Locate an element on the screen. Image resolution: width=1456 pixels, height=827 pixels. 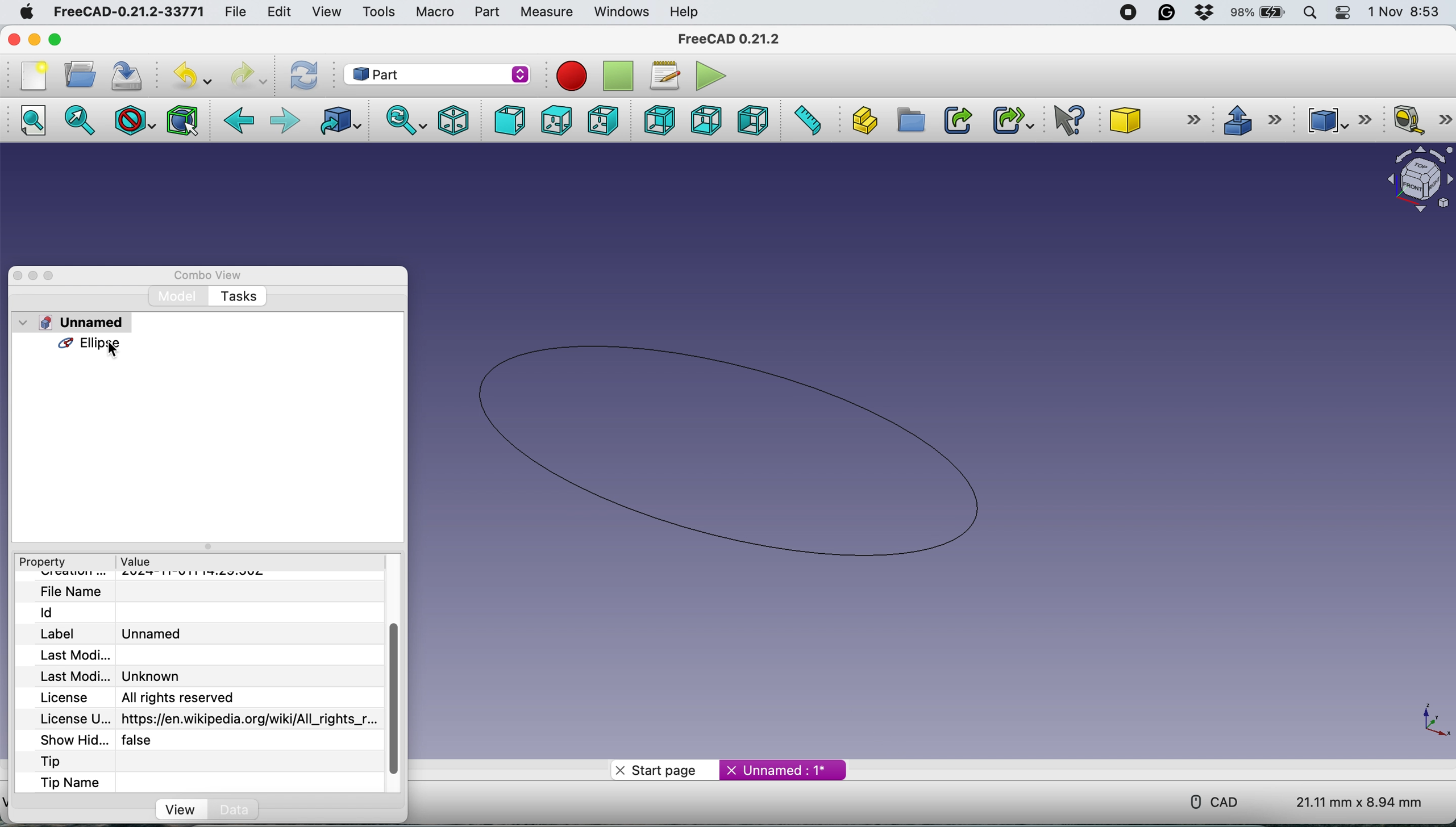
help is located at coordinates (688, 11).